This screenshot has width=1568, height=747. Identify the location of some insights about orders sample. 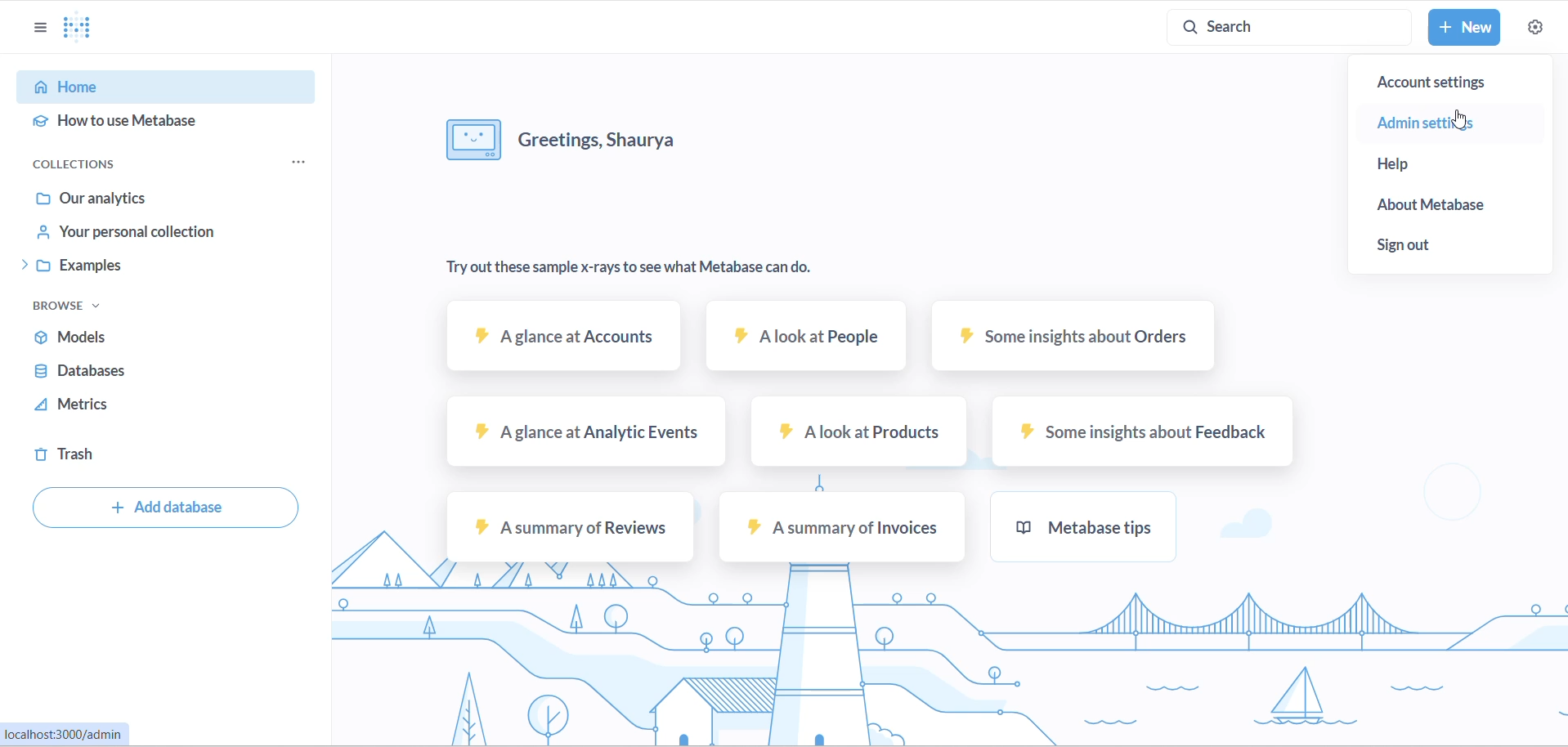
(1074, 339).